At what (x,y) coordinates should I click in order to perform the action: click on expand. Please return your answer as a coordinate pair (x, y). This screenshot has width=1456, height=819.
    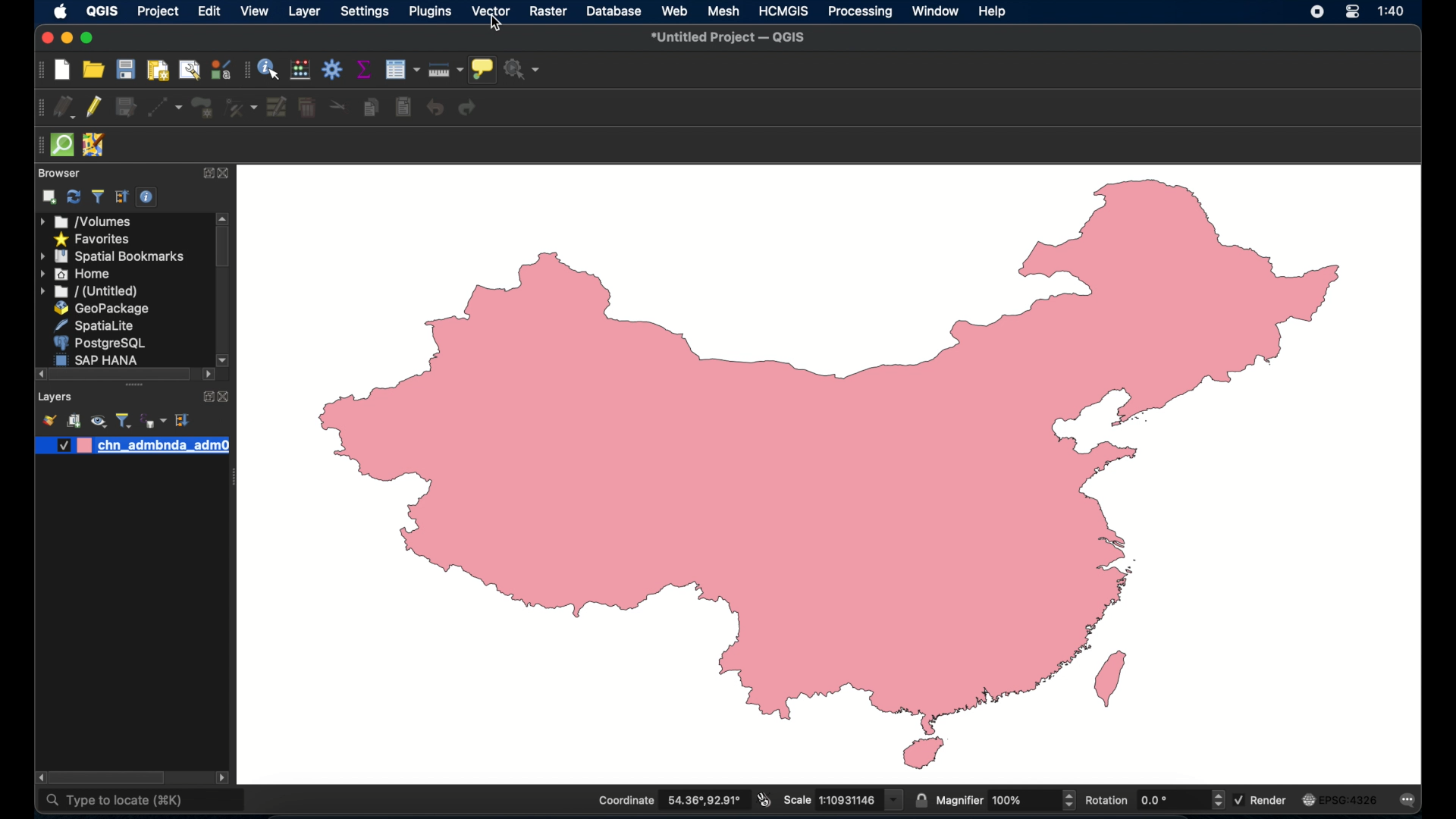
    Looking at the image, I should click on (206, 397).